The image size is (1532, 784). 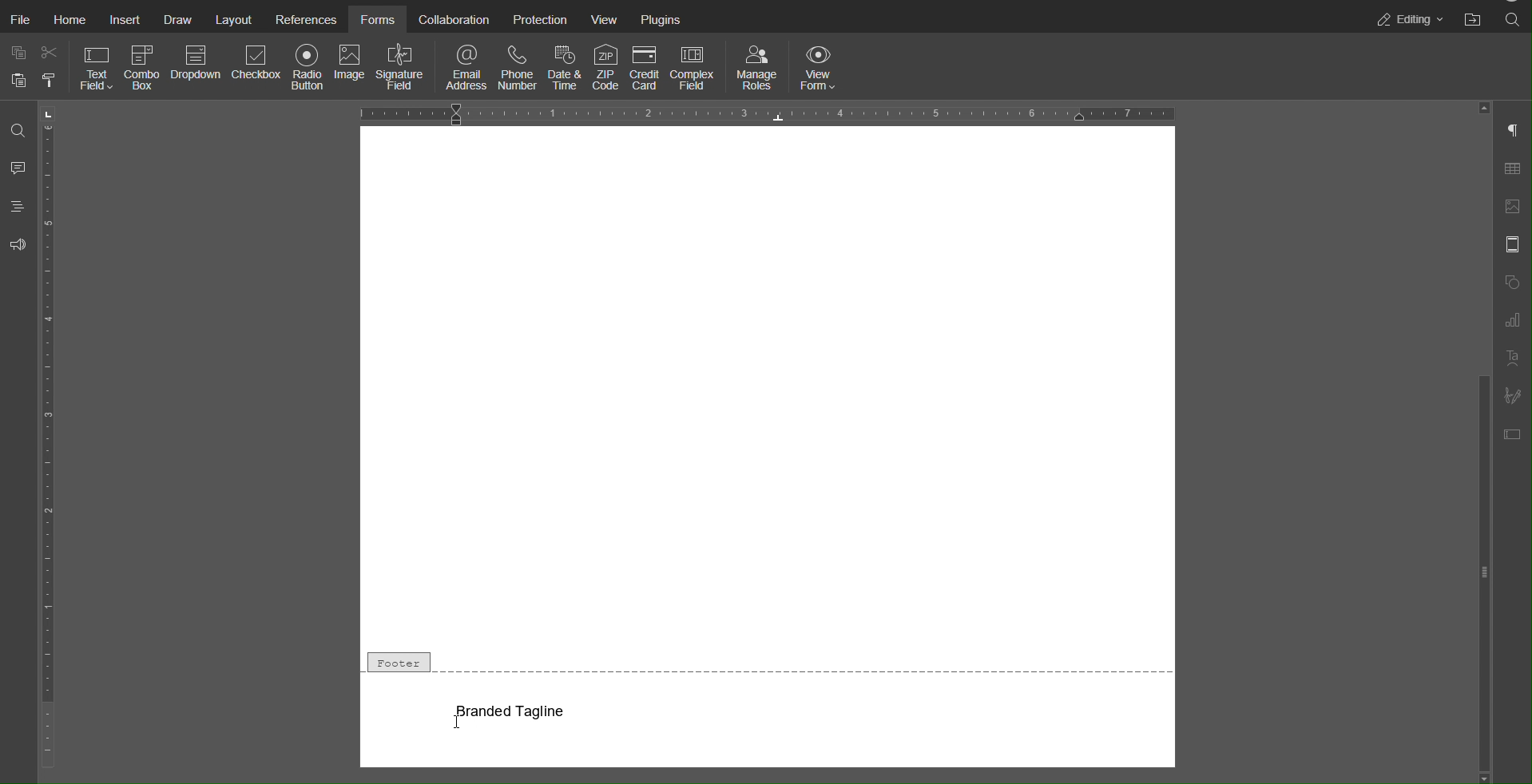 I want to click on Layout, so click(x=234, y=18).